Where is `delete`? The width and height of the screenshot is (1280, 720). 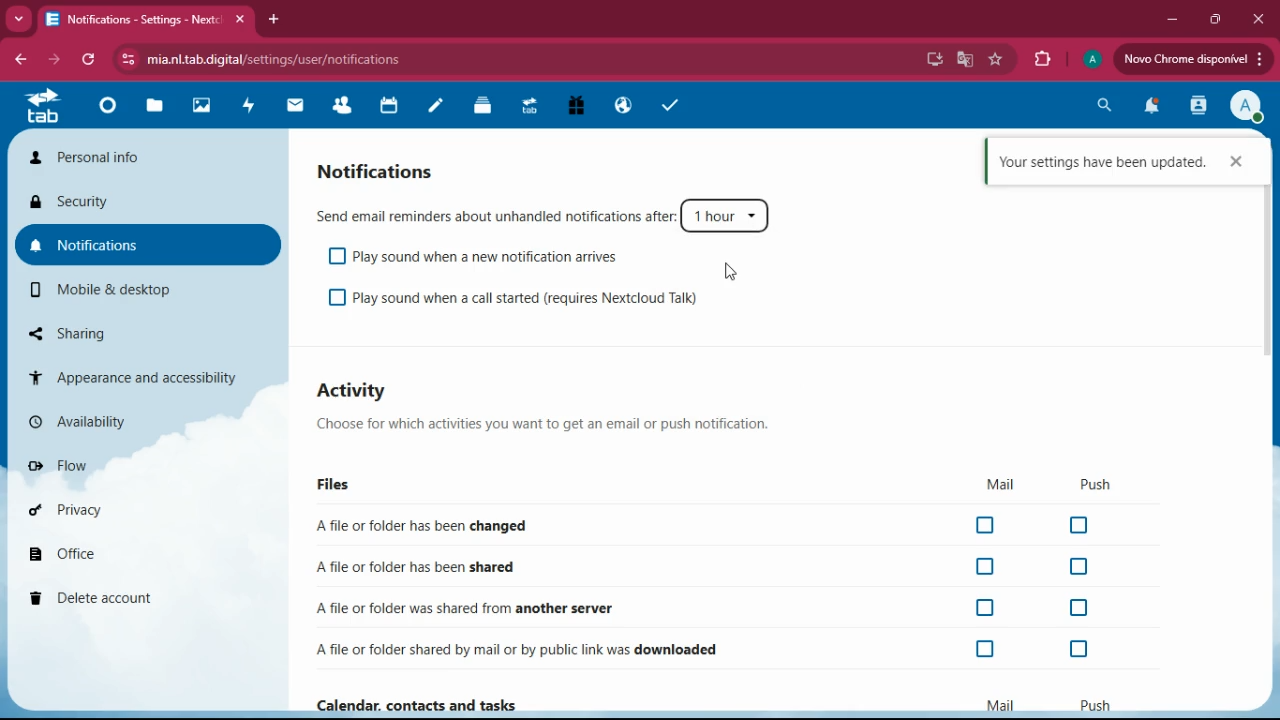
delete is located at coordinates (132, 599).